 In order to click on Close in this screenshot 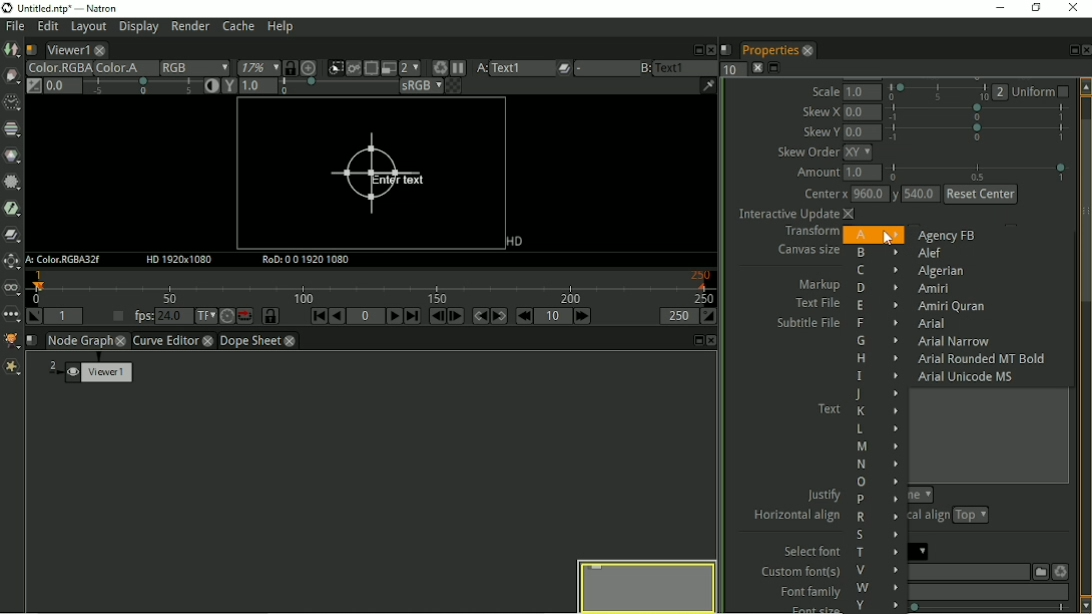, I will do `click(709, 48)`.